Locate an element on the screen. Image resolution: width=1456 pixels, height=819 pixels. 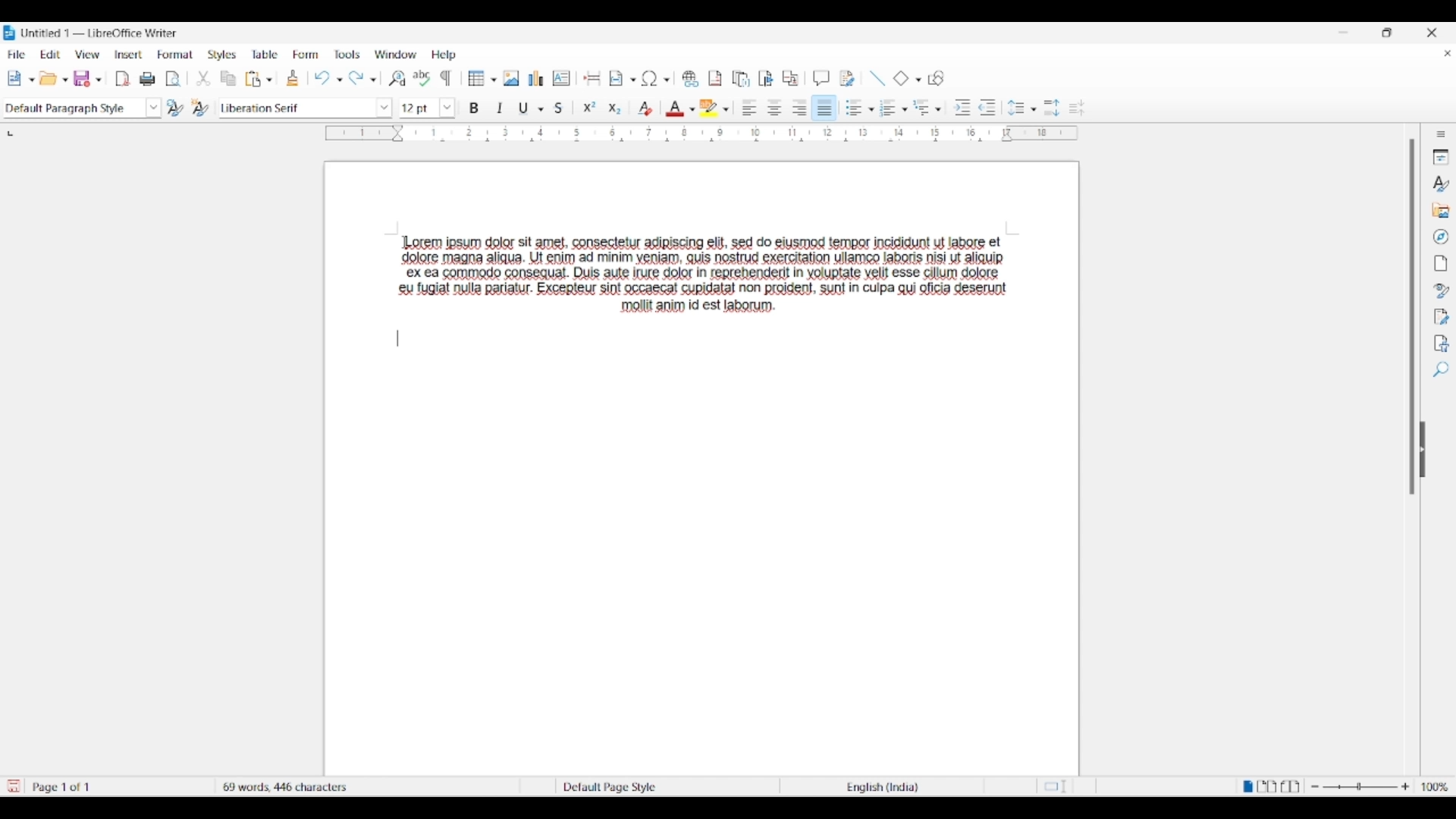
Selected color for highlighting color is located at coordinates (709, 107).